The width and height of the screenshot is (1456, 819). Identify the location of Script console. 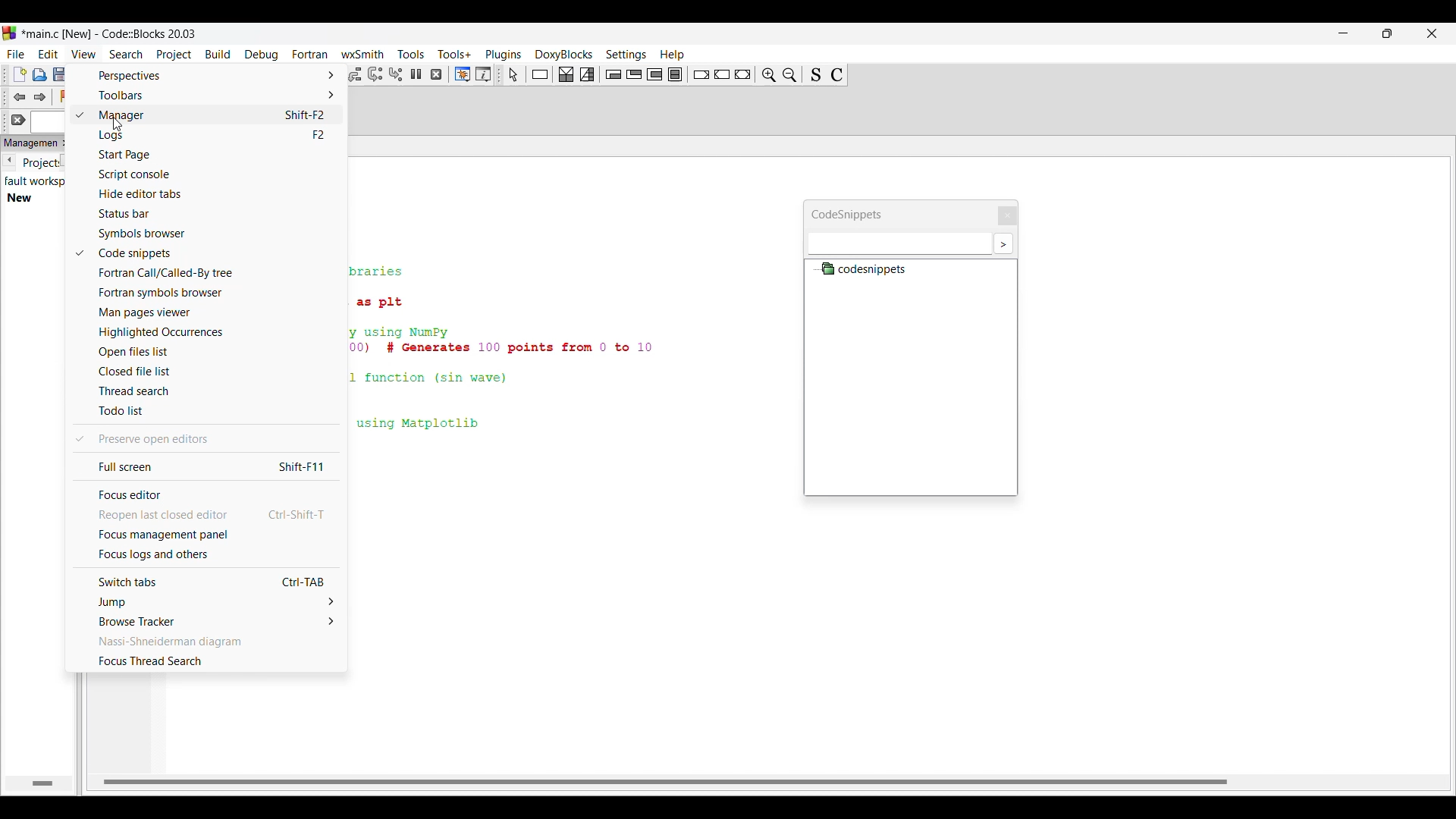
(215, 175).